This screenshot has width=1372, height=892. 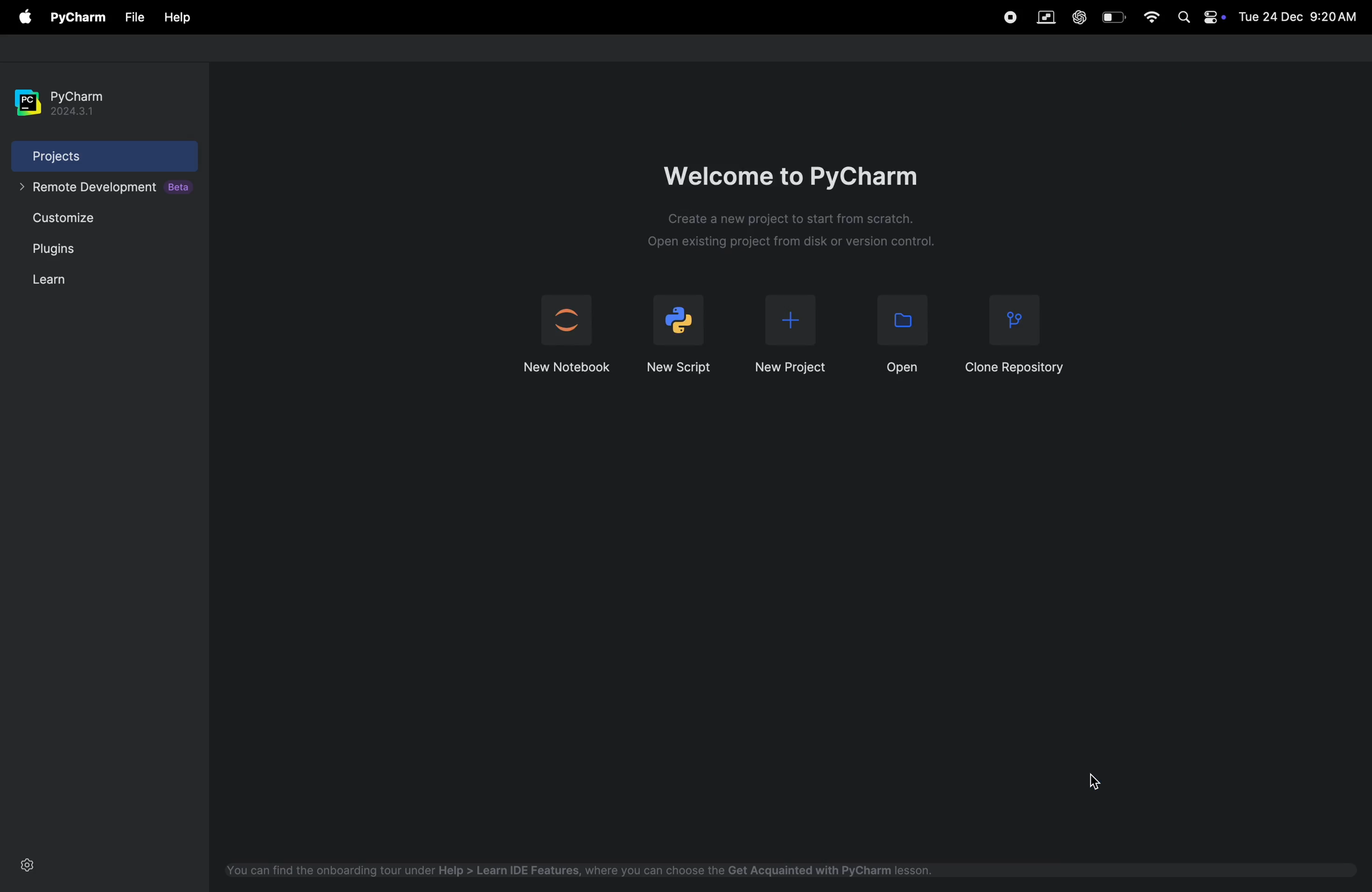 I want to click on plugins, so click(x=77, y=249).